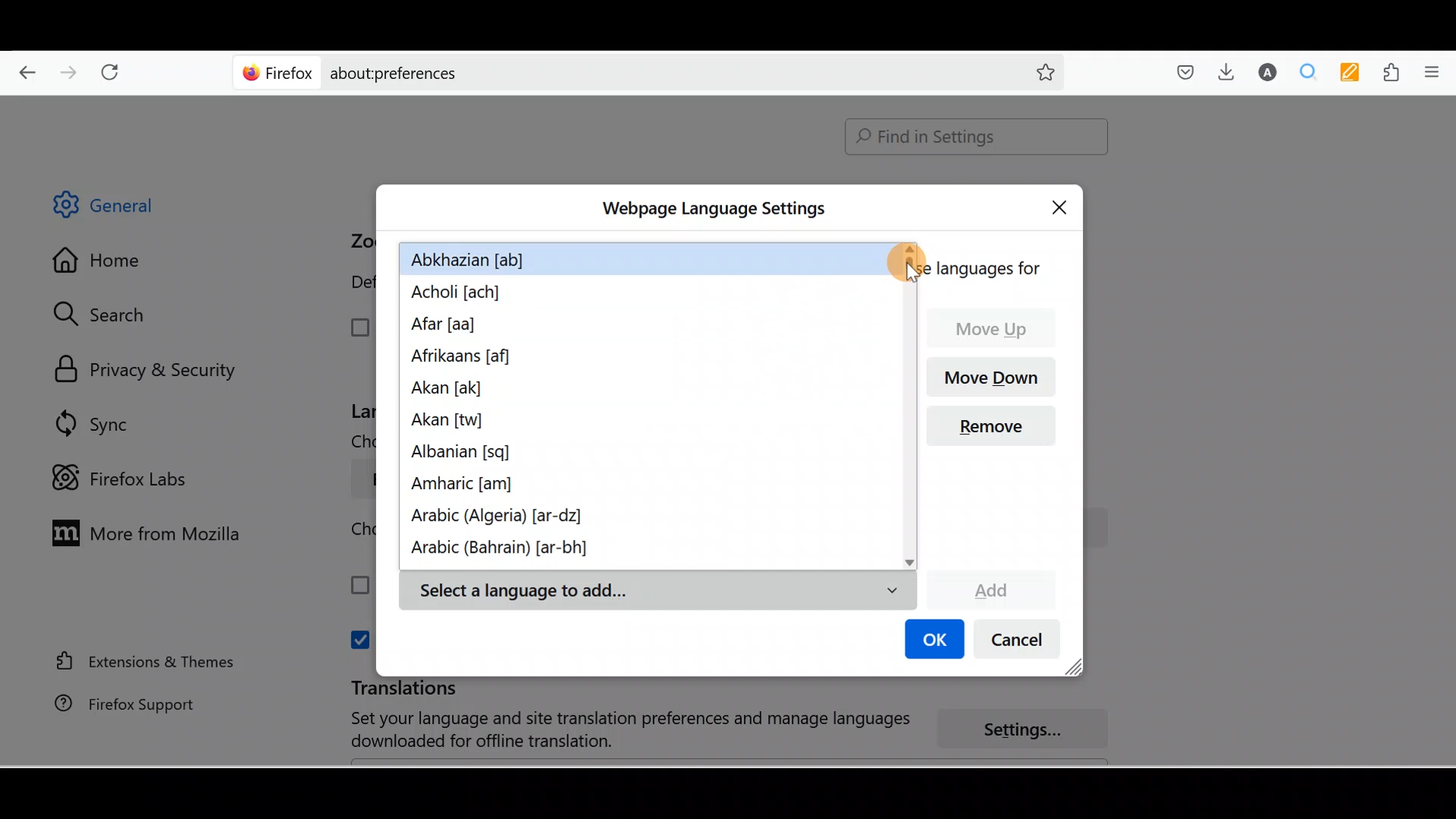 Image resolution: width=1456 pixels, height=819 pixels. I want to click on Open application menu, so click(1437, 71).